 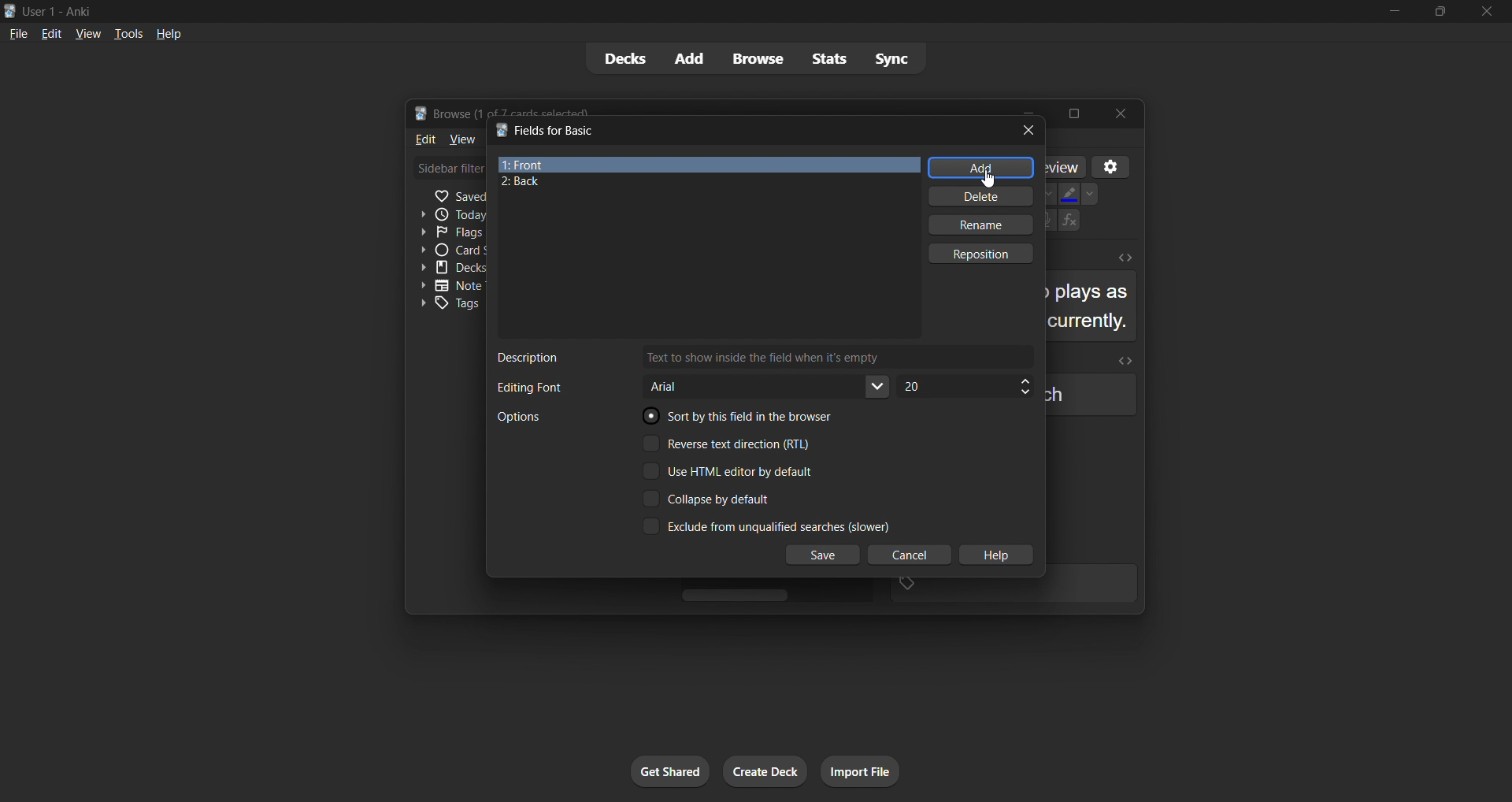 I want to click on Maximize, so click(x=1076, y=111).